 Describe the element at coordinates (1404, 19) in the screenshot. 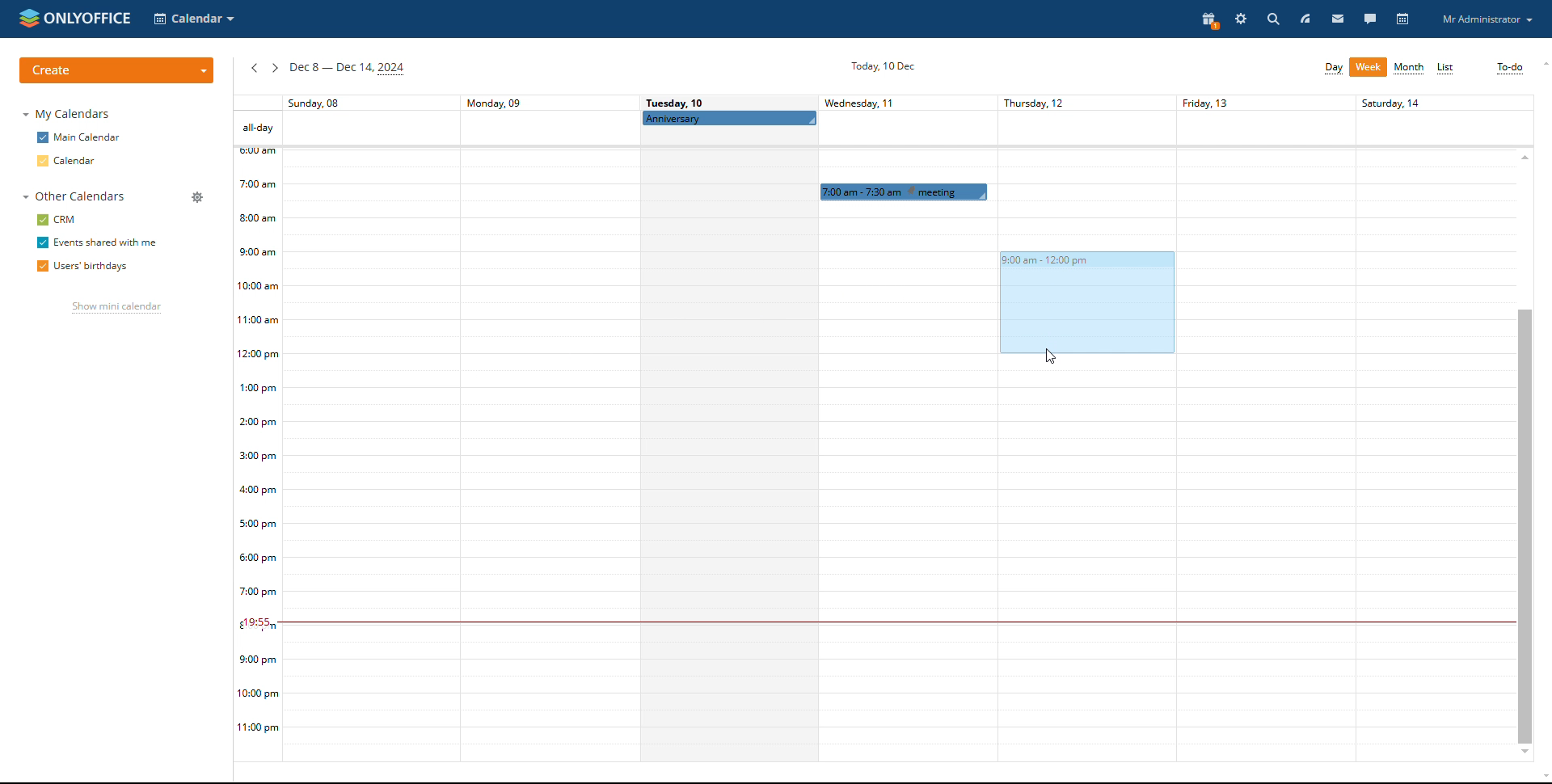

I see `calendar` at that location.